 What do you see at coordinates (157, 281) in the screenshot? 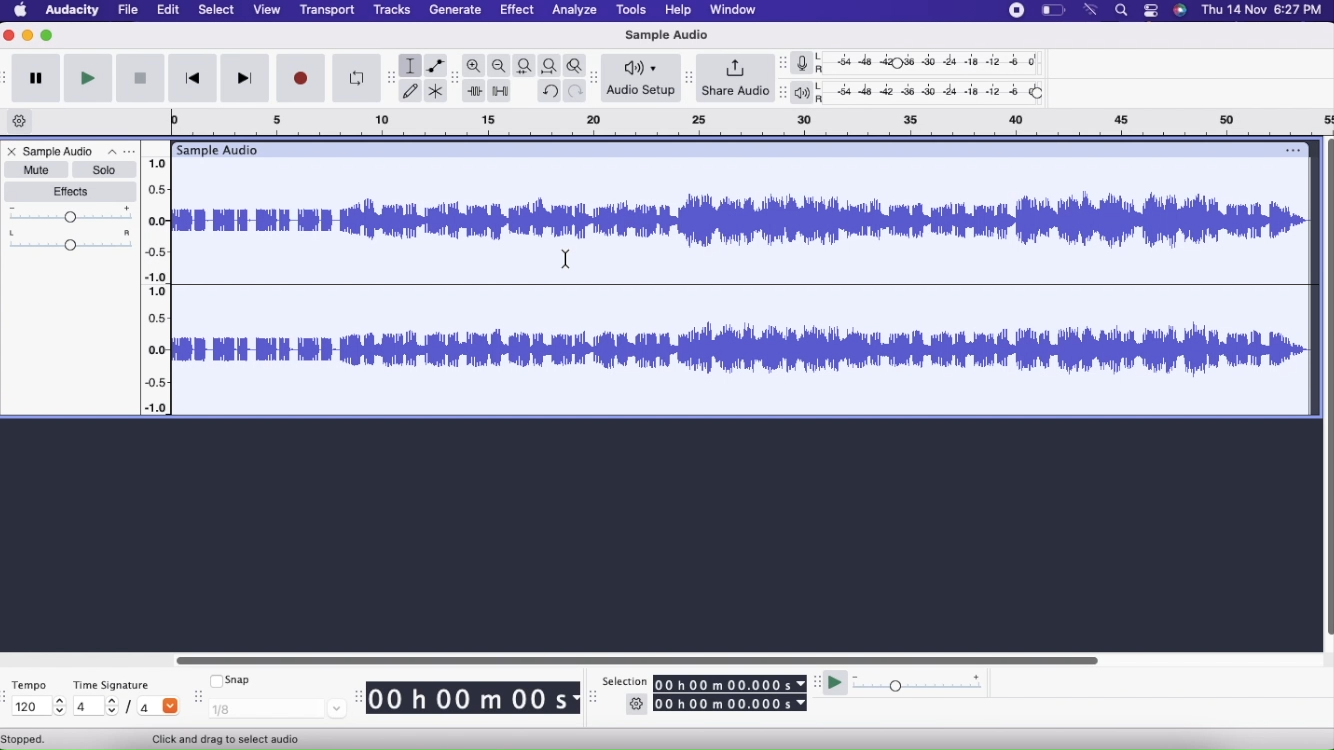
I see `Timeline slider` at bounding box center [157, 281].